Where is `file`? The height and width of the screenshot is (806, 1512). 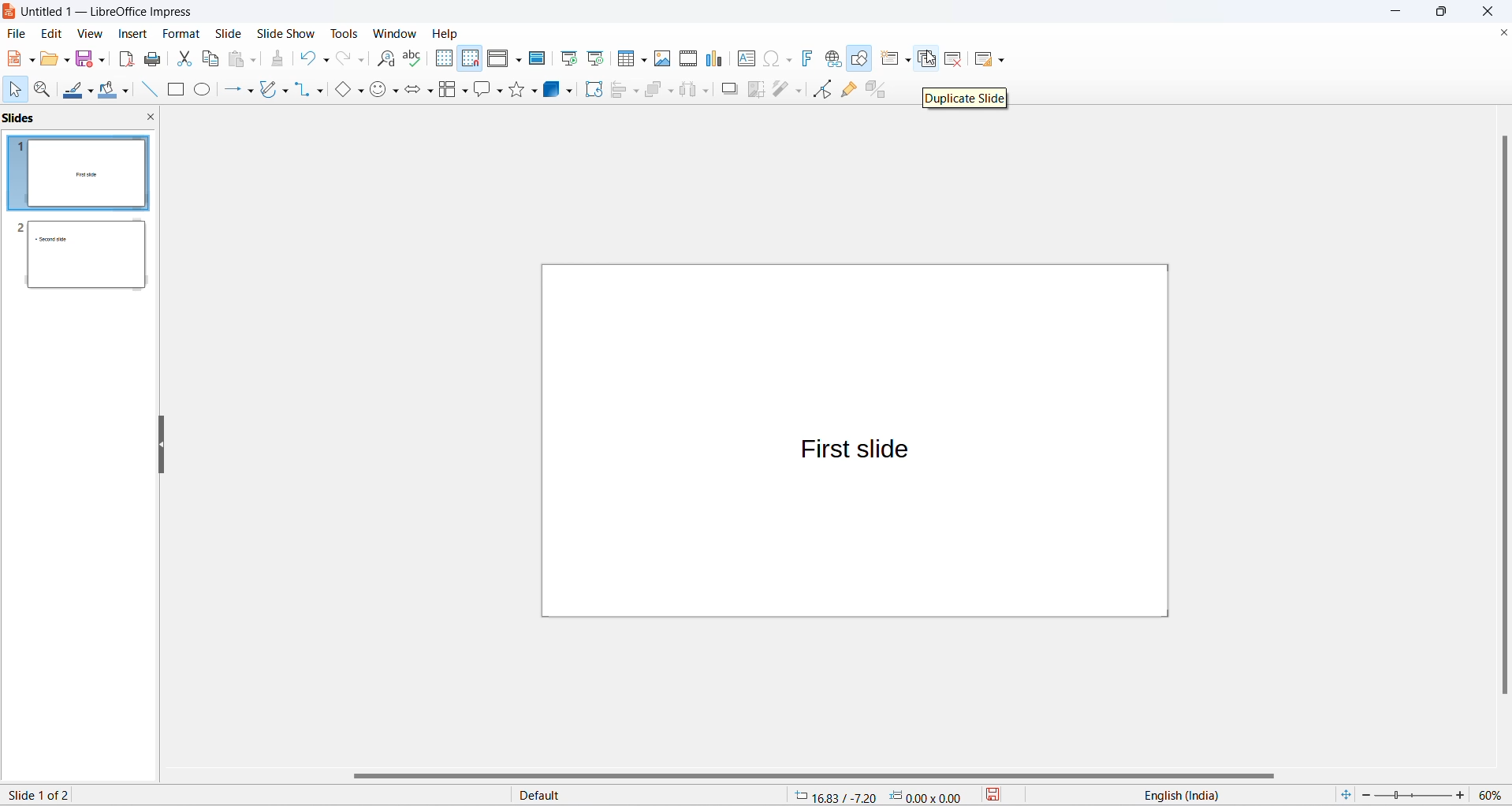 file is located at coordinates (20, 33).